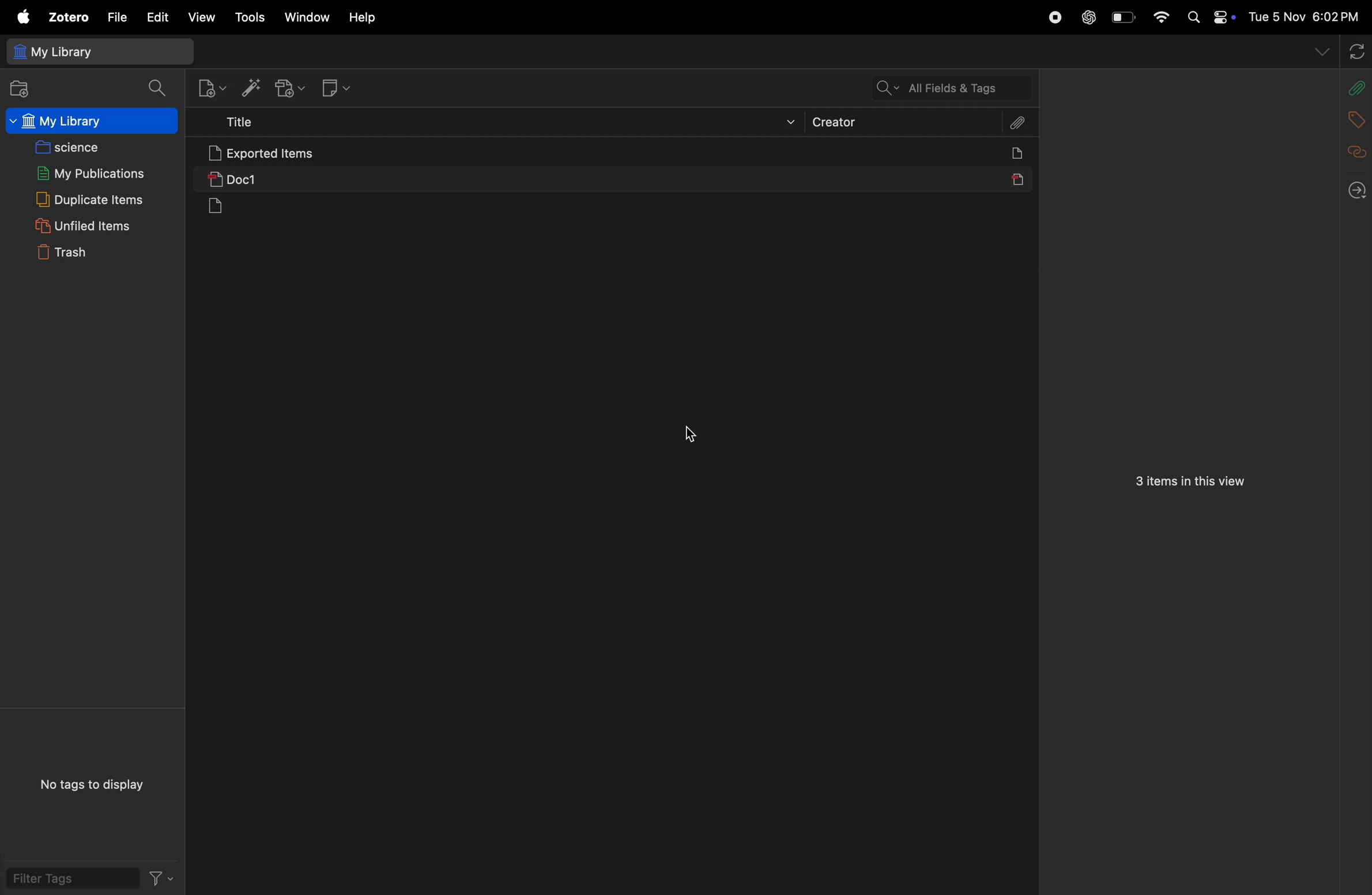 The width and height of the screenshot is (1372, 895). What do you see at coordinates (1354, 152) in the screenshot?
I see `related` at bounding box center [1354, 152].